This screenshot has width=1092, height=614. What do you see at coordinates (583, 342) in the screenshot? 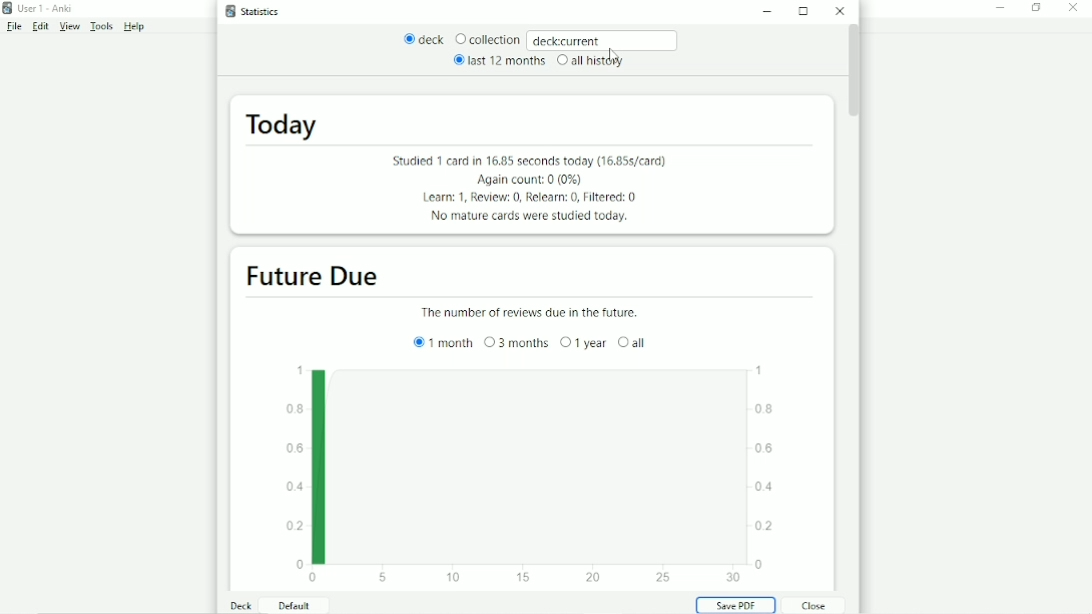
I see `1 year` at bounding box center [583, 342].